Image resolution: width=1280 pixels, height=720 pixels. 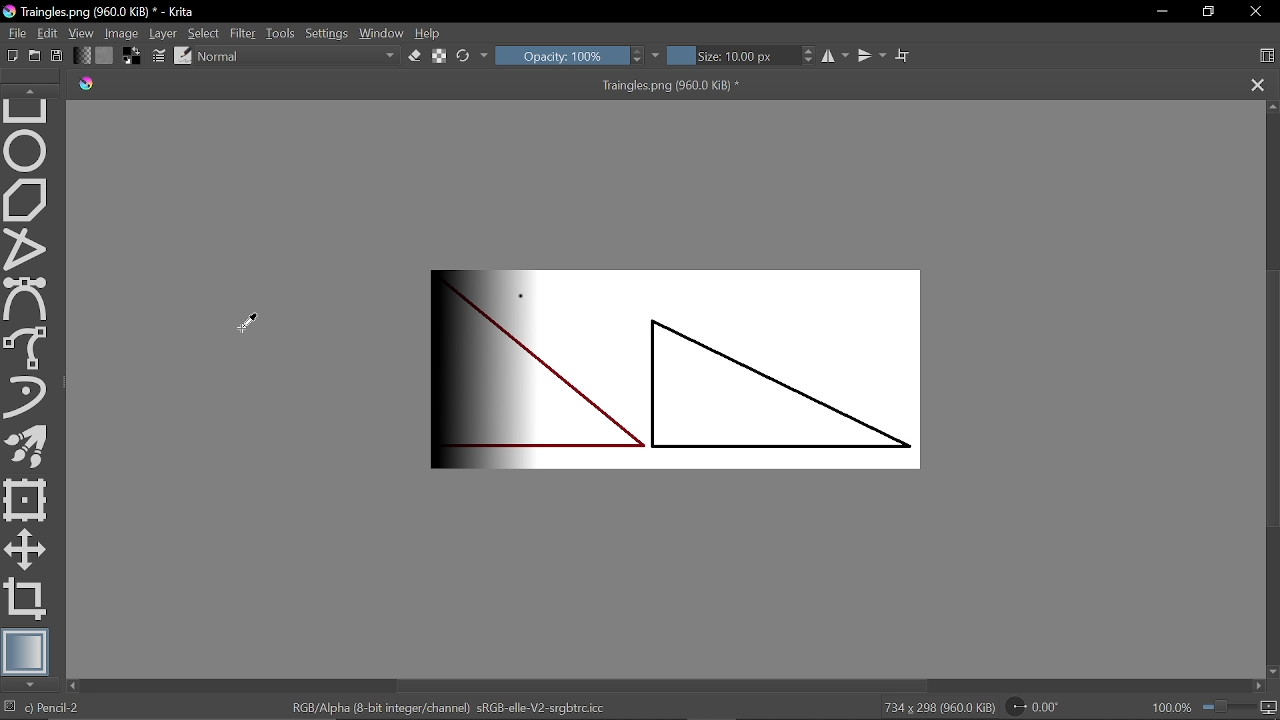 I want to click on Create new document, so click(x=10, y=55).